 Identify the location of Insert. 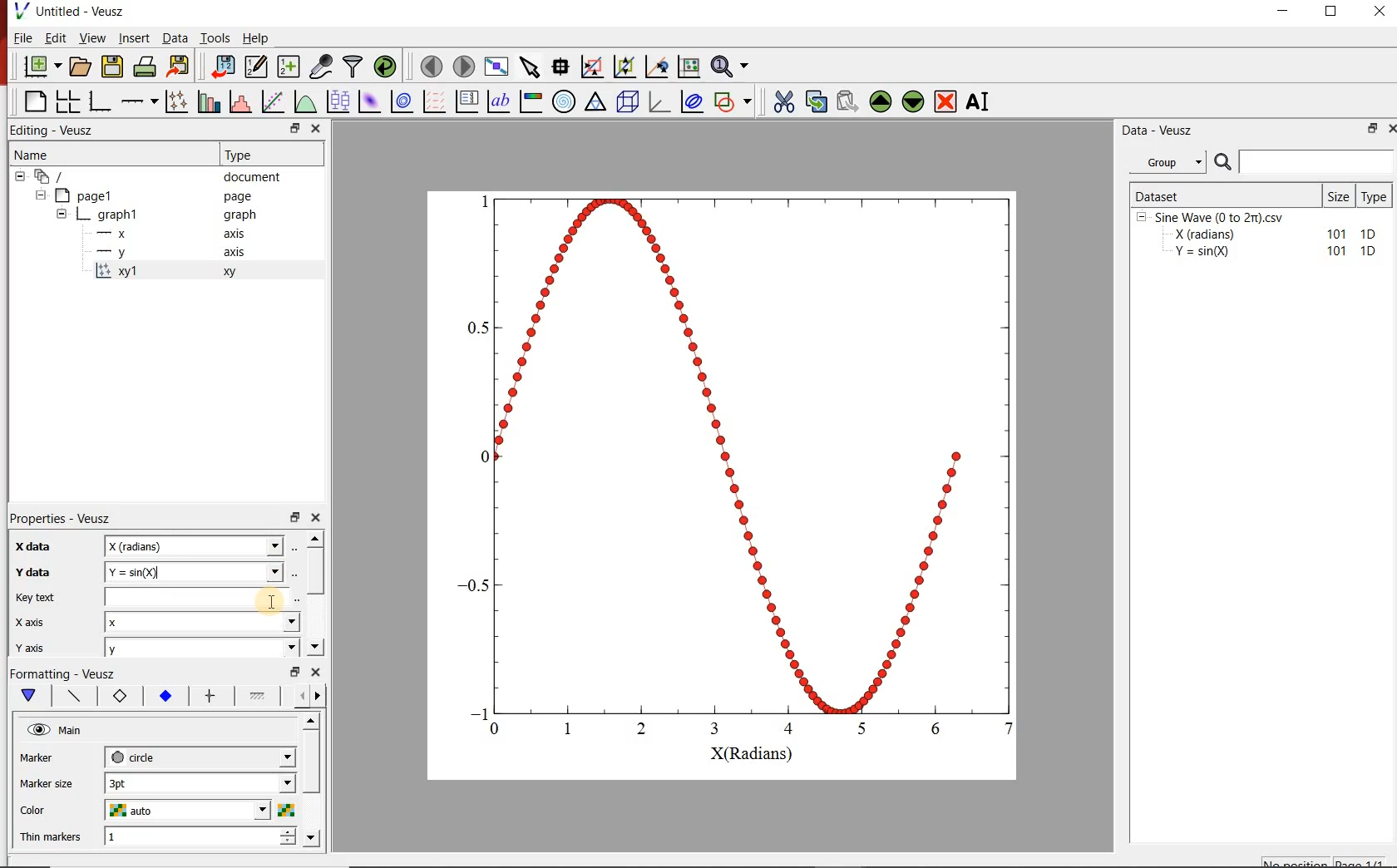
(135, 37).